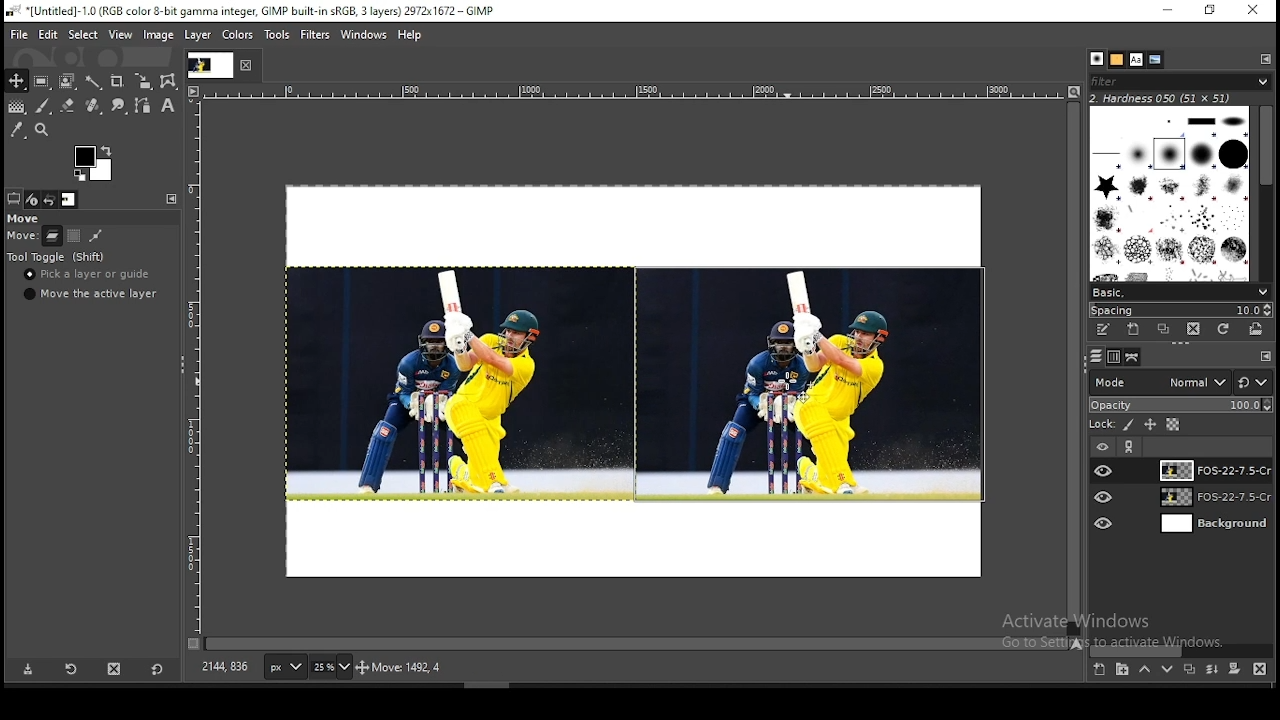  What do you see at coordinates (247, 66) in the screenshot?
I see `close` at bounding box center [247, 66].